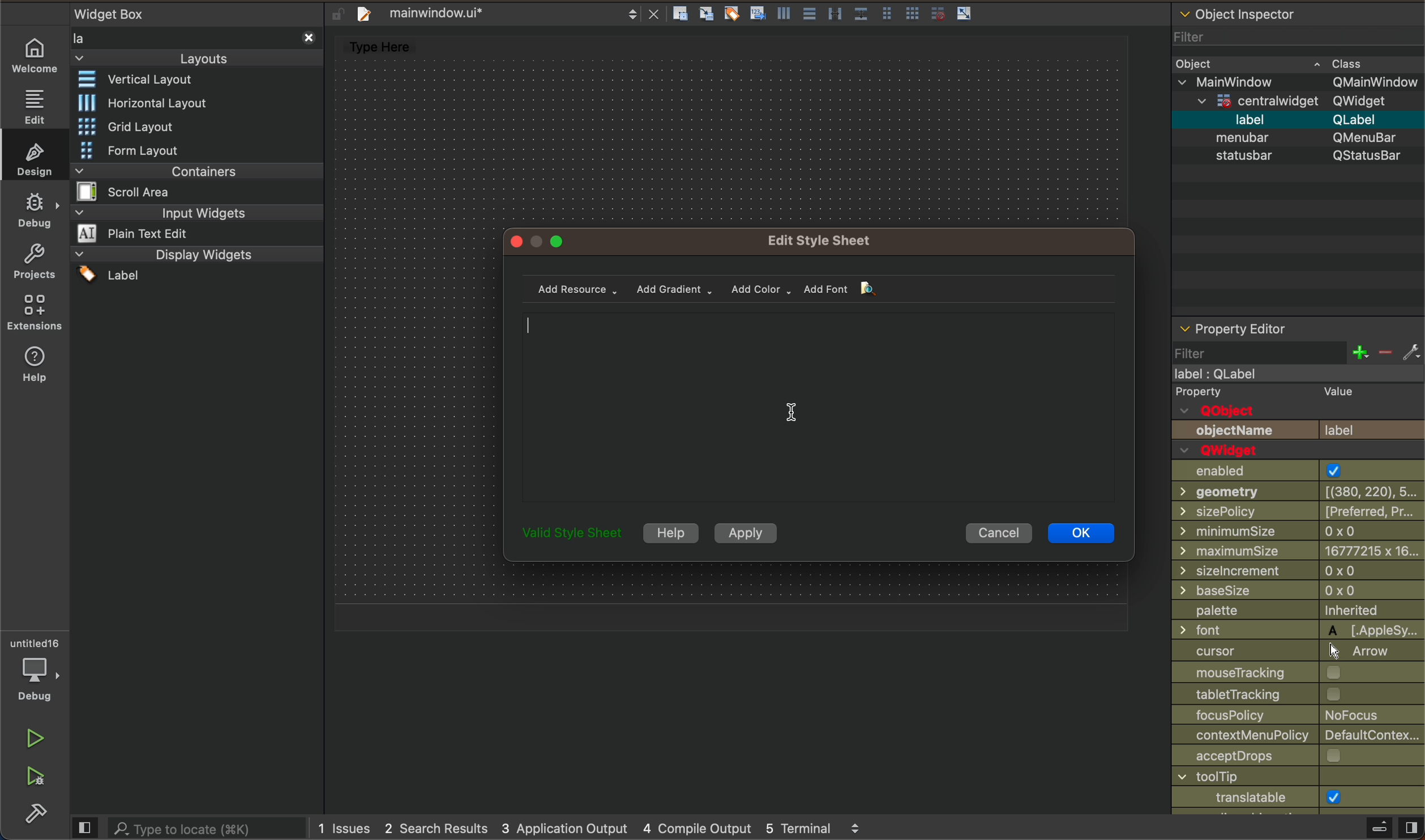 This screenshot has width=1425, height=840. I want to click on tablet, so click(1299, 696).